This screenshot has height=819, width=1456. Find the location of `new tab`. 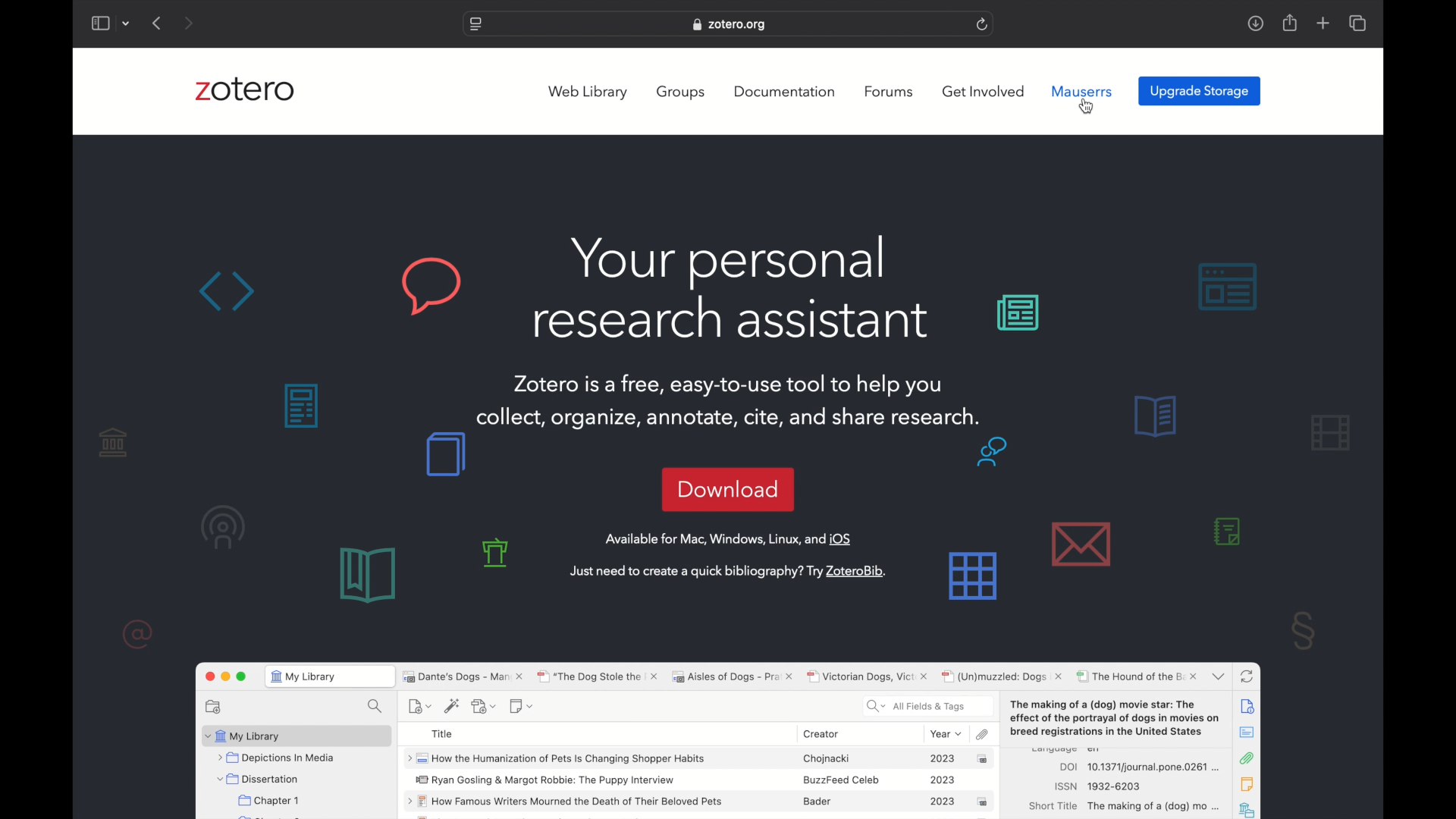

new tab is located at coordinates (1323, 23).